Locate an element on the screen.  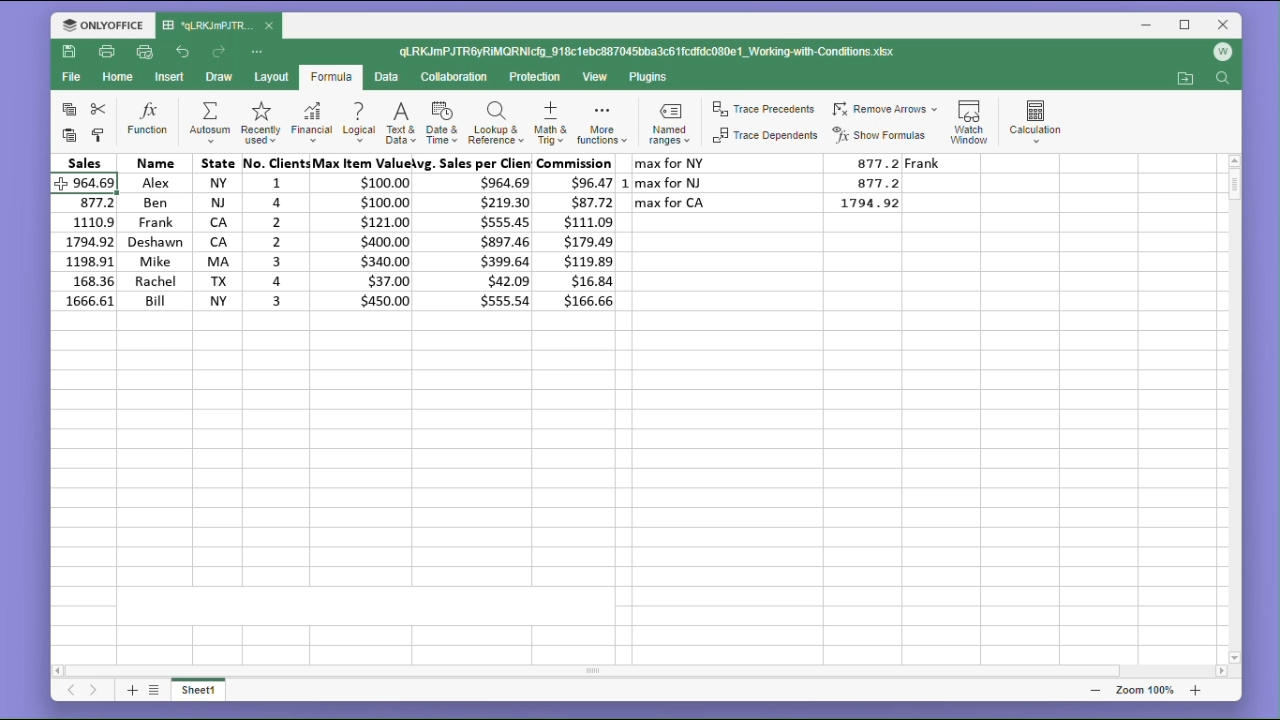
scroll up is located at coordinates (1234, 160).